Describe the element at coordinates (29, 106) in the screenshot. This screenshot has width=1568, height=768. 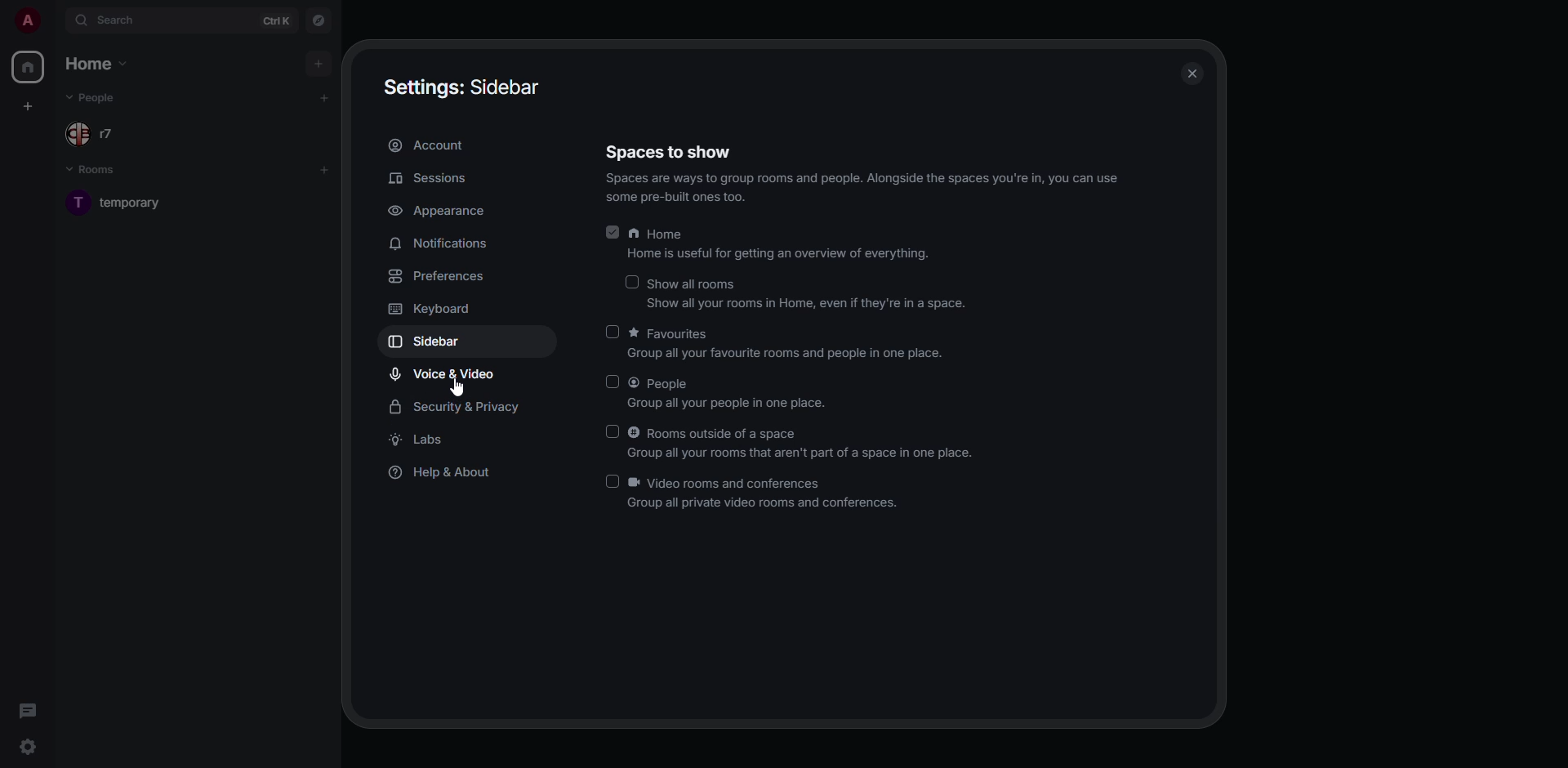
I see `create space` at that location.